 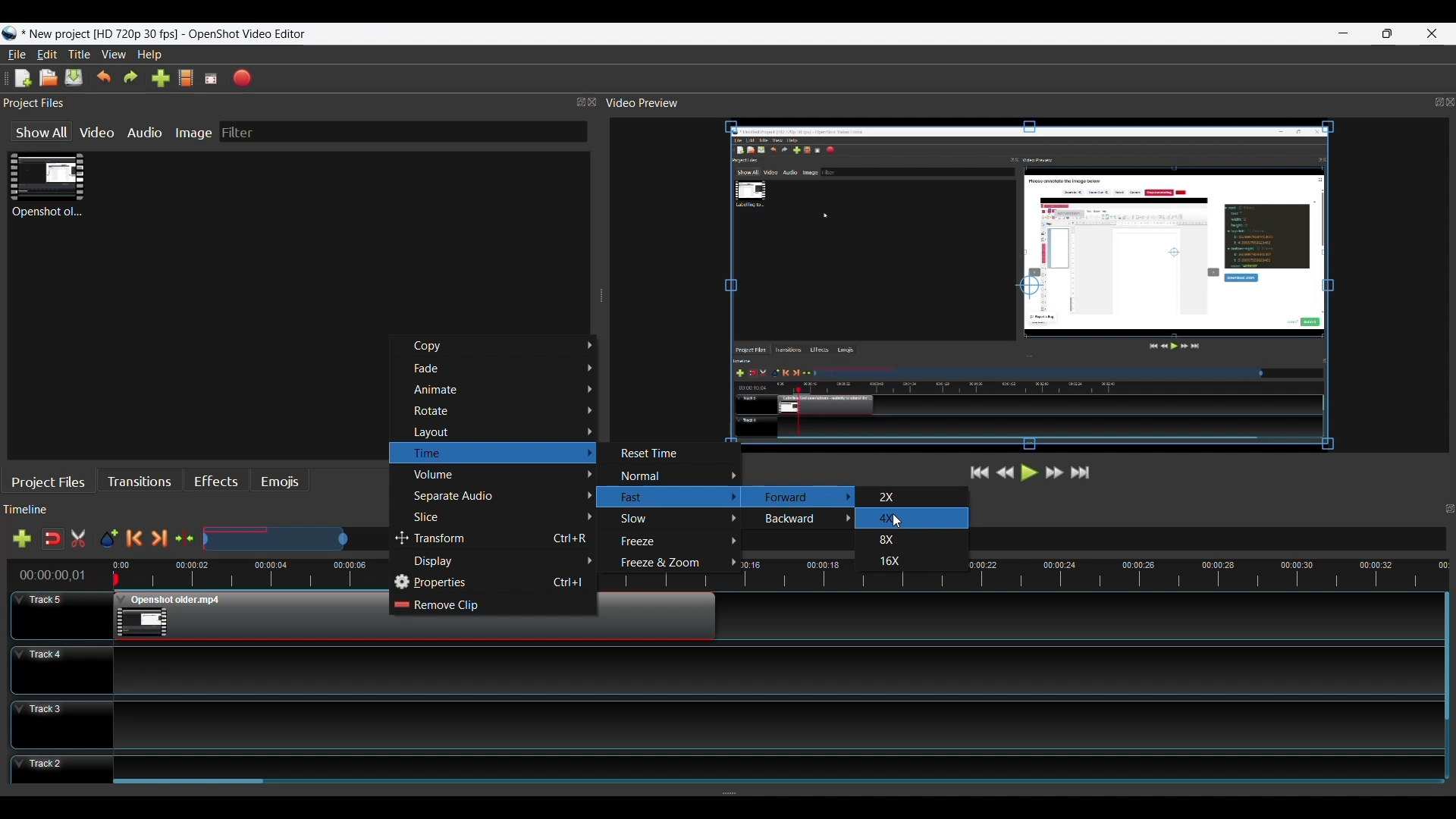 What do you see at coordinates (295, 537) in the screenshot?
I see `Zoom Slide` at bounding box center [295, 537].